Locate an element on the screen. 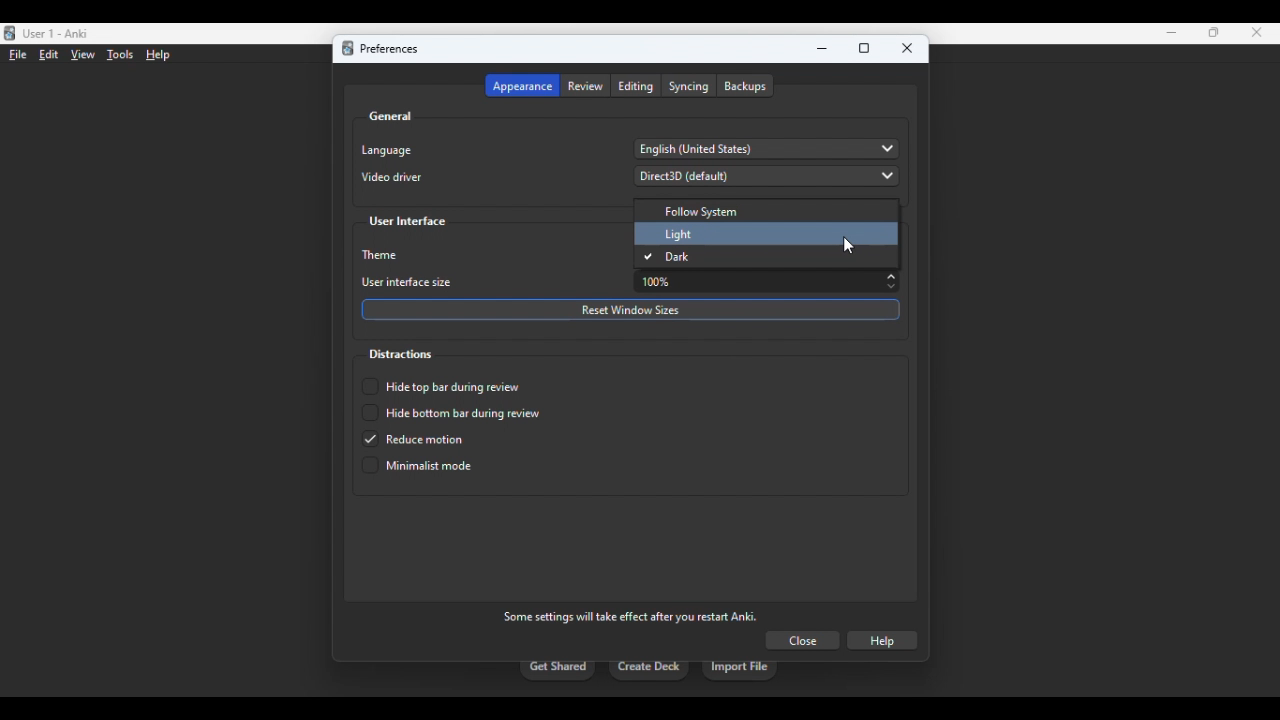 This screenshot has height=720, width=1280. file is located at coordinates (18, 55).